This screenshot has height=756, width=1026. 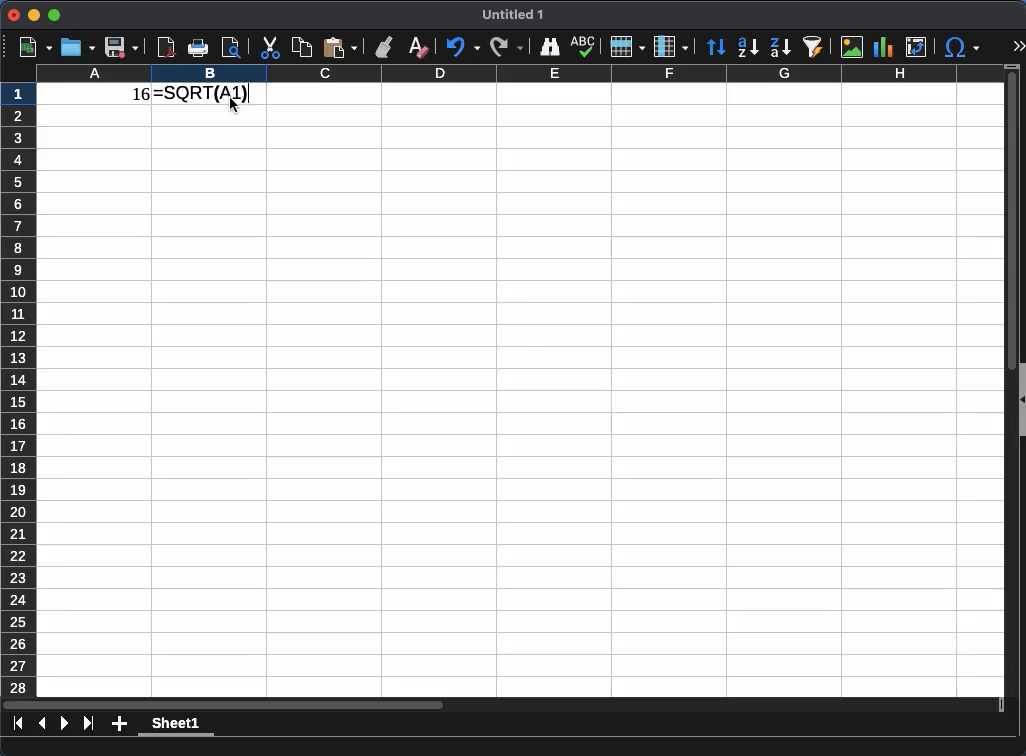 What do you see at coordinates (961, 48) in the screenshot?
I see `special characters` at bounding box center [961, 48].